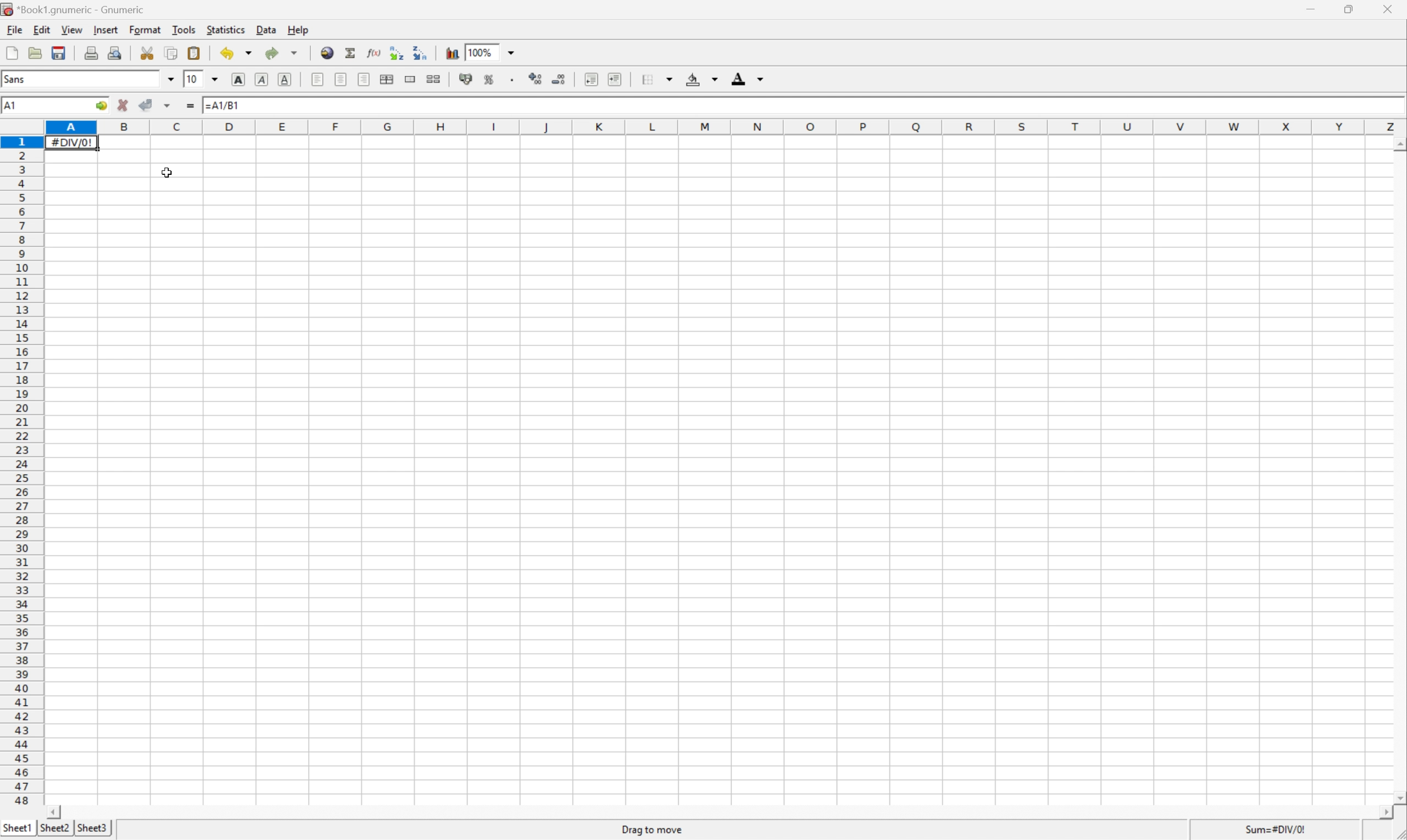 The image size is (1407, 840). I want to click on Redo, so click(272, 54).